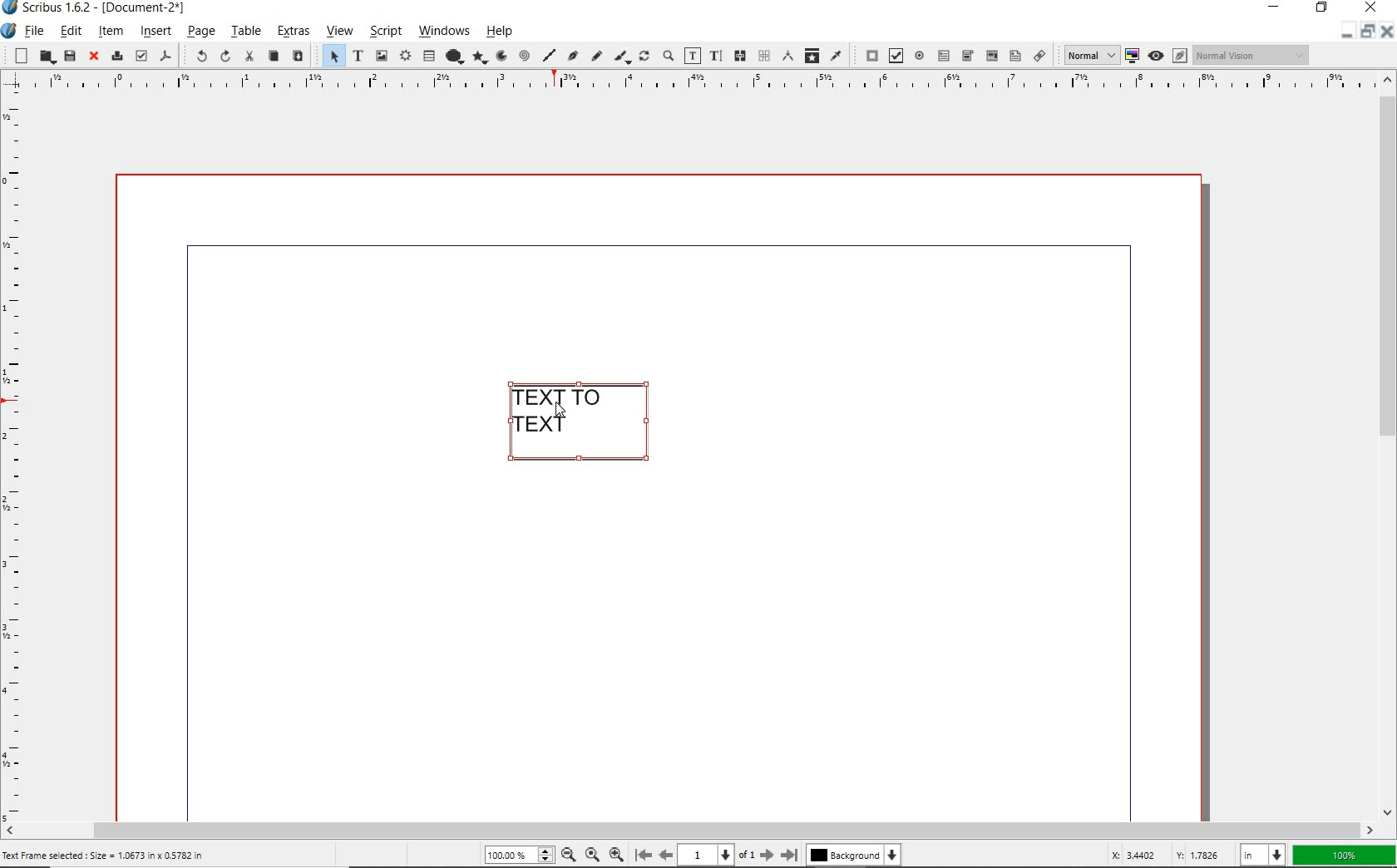 Image resolution: width=1397 pixels, height=868 pixels. What do you see at coordinates (1260, 856) in the screenshot?
I see `select unit` at bounding box center [1260, 856].